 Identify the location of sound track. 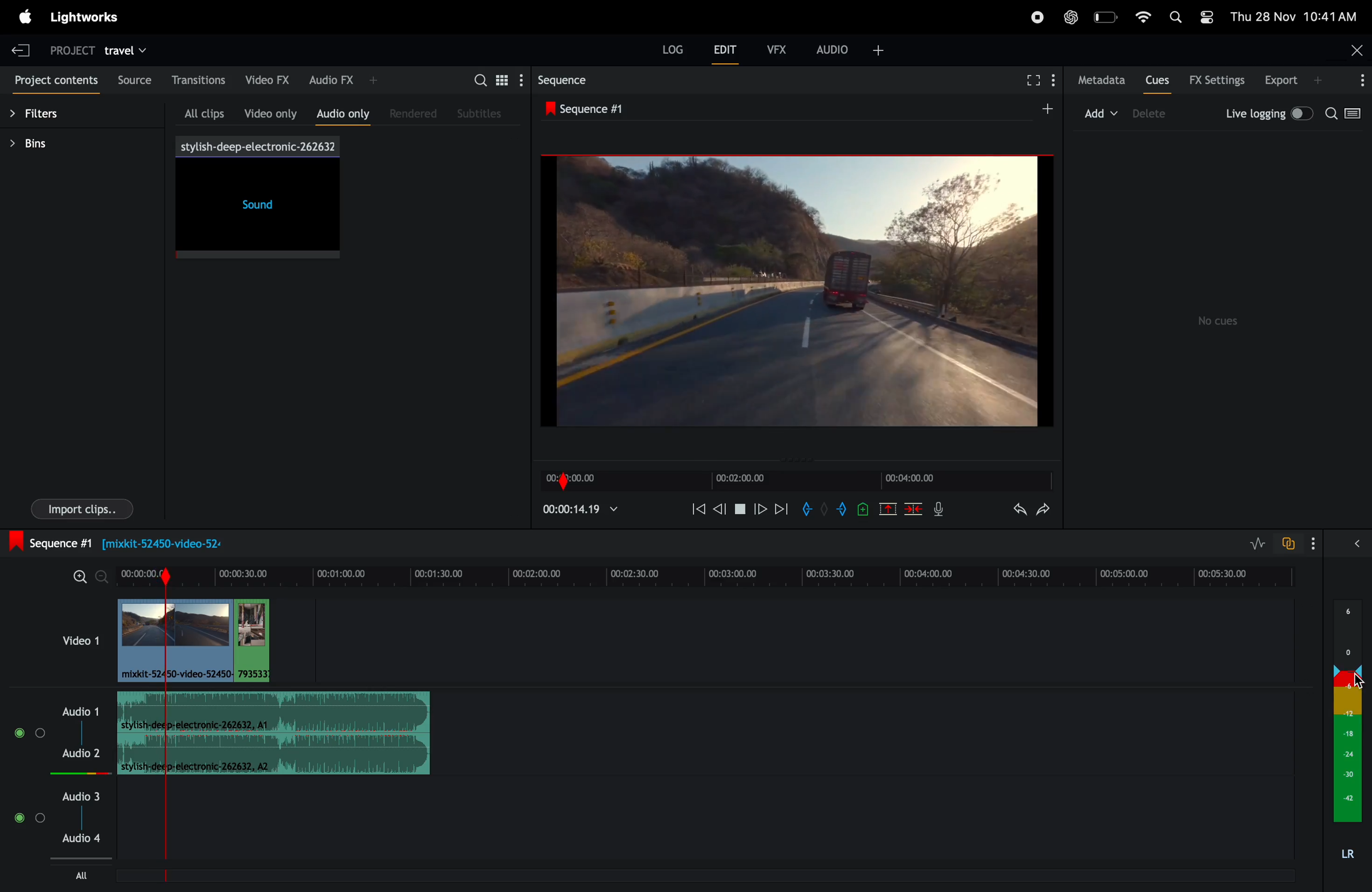
(276, 731).